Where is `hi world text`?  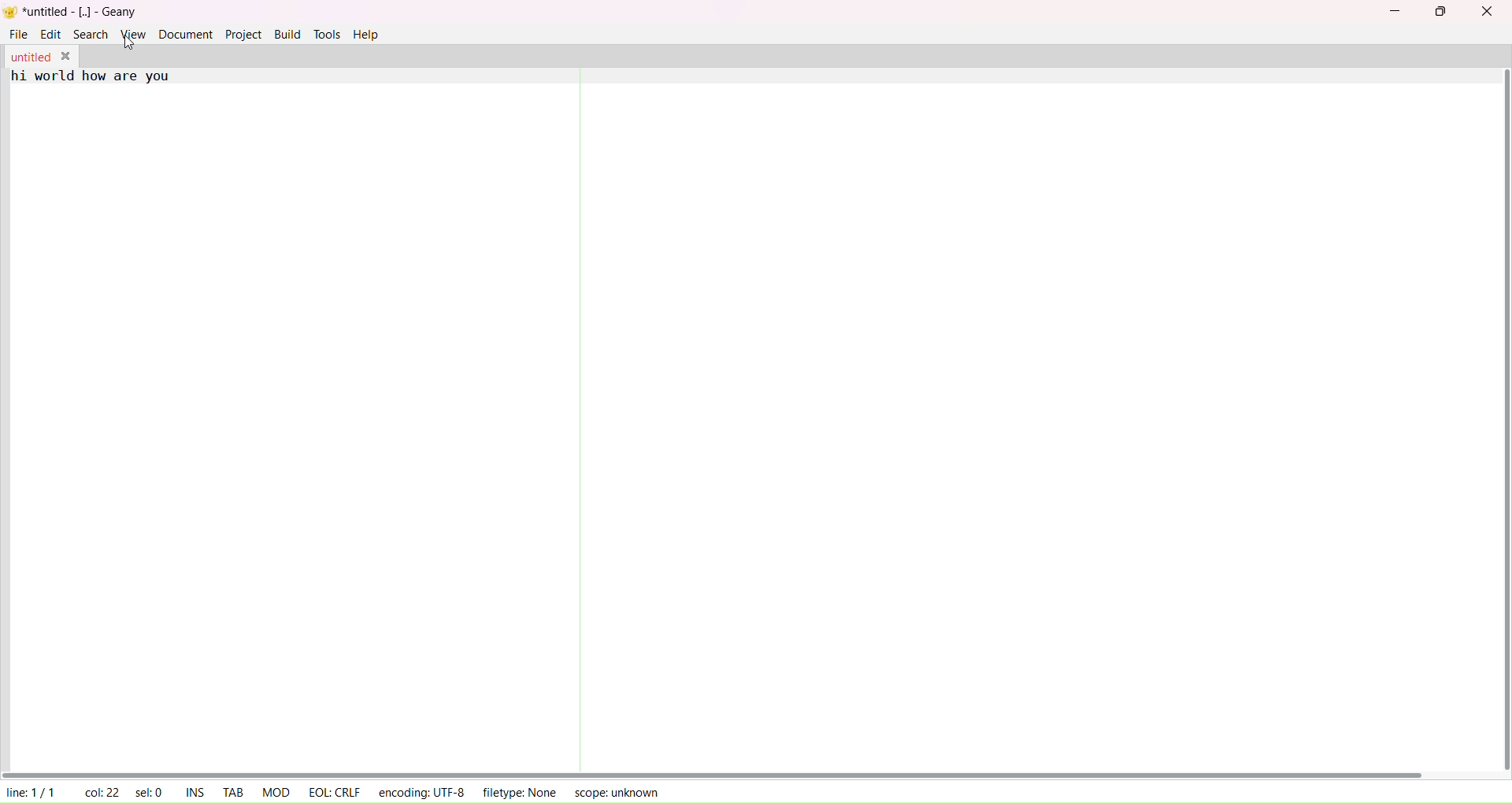 hi world text is located at coordinates (94, 81).